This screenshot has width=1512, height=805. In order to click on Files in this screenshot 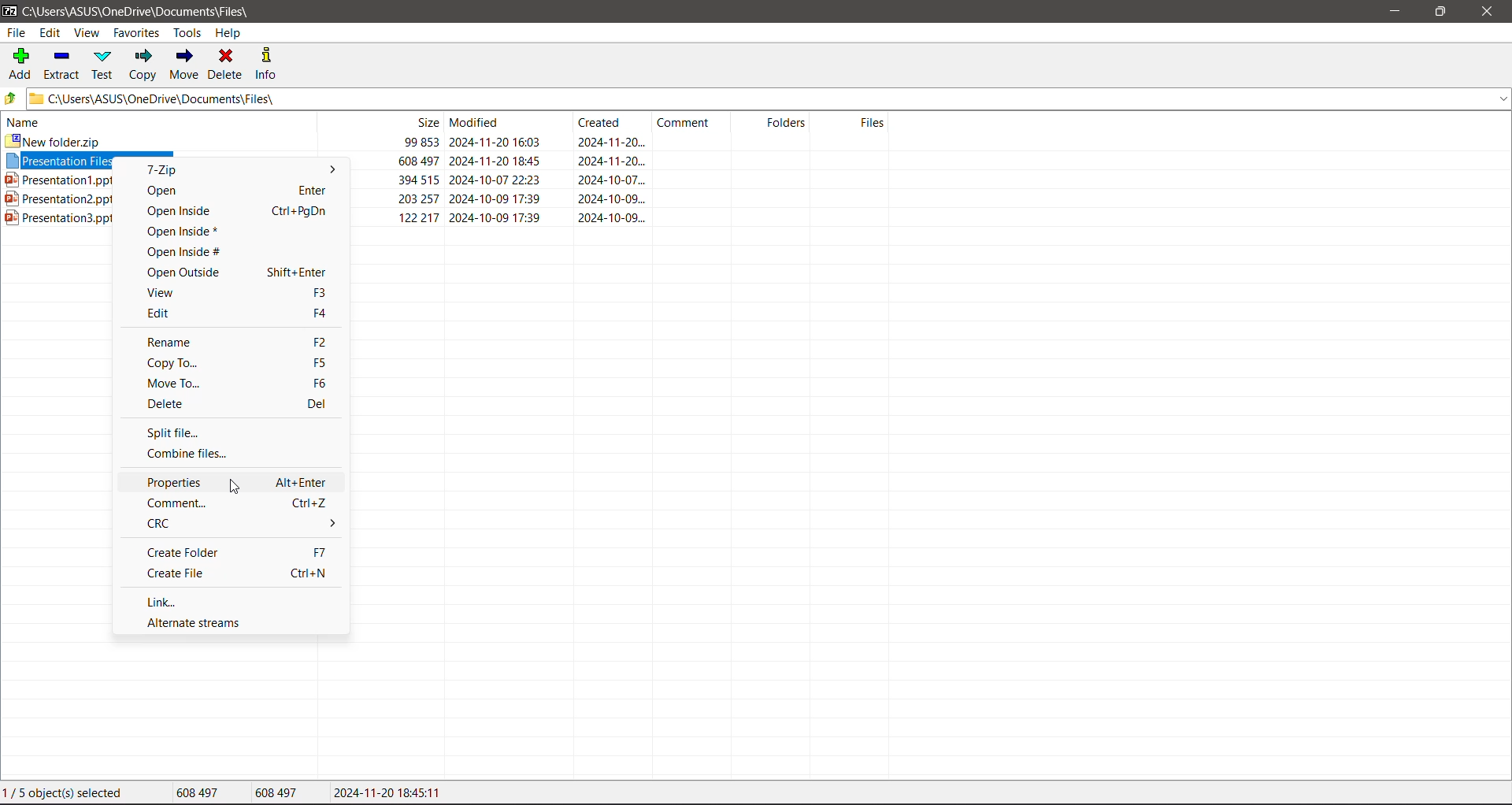, I will do `click(851, 123)`.